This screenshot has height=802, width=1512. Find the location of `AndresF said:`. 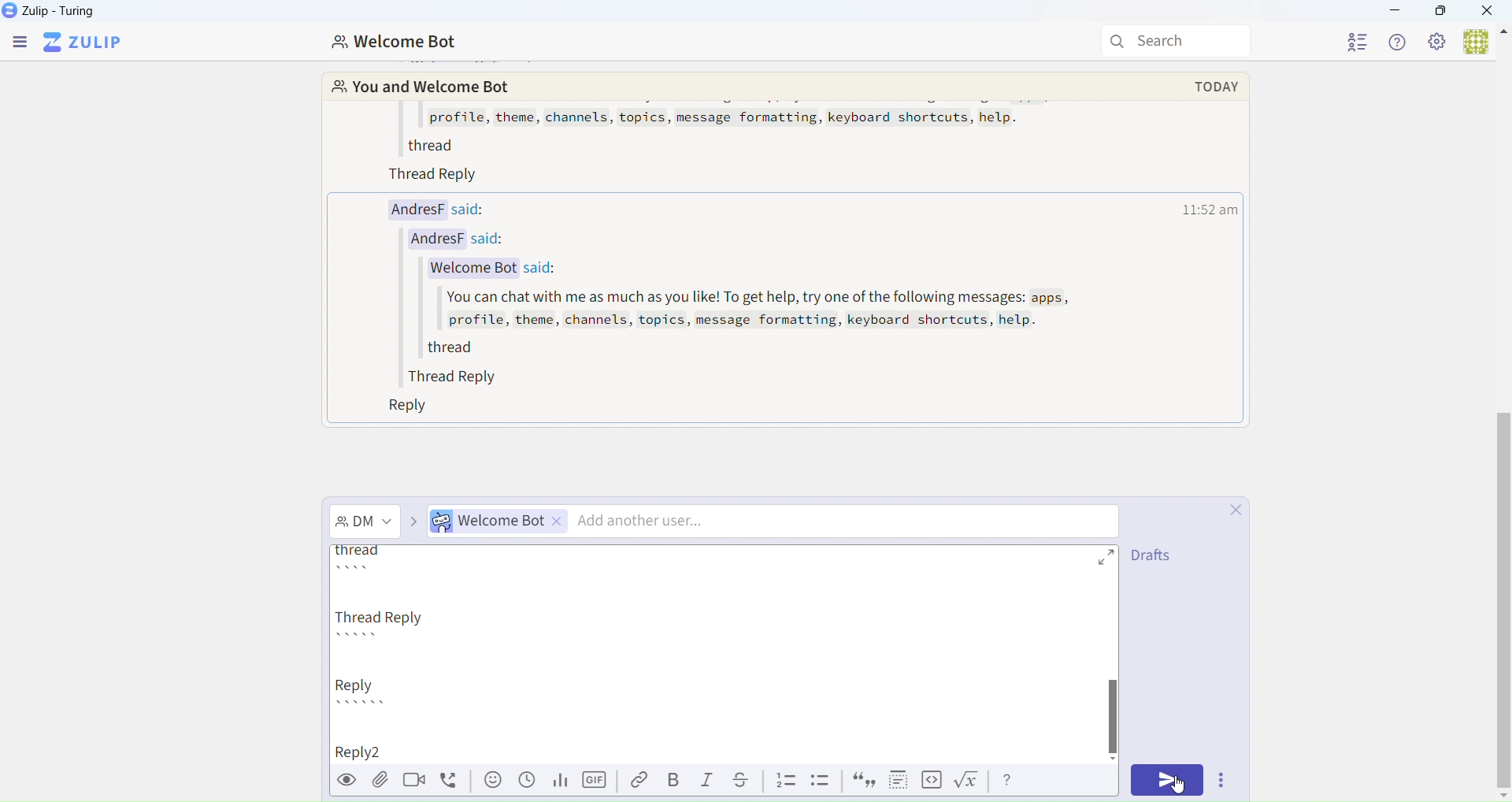

AndresF said: is located at coordinates (429, 208).